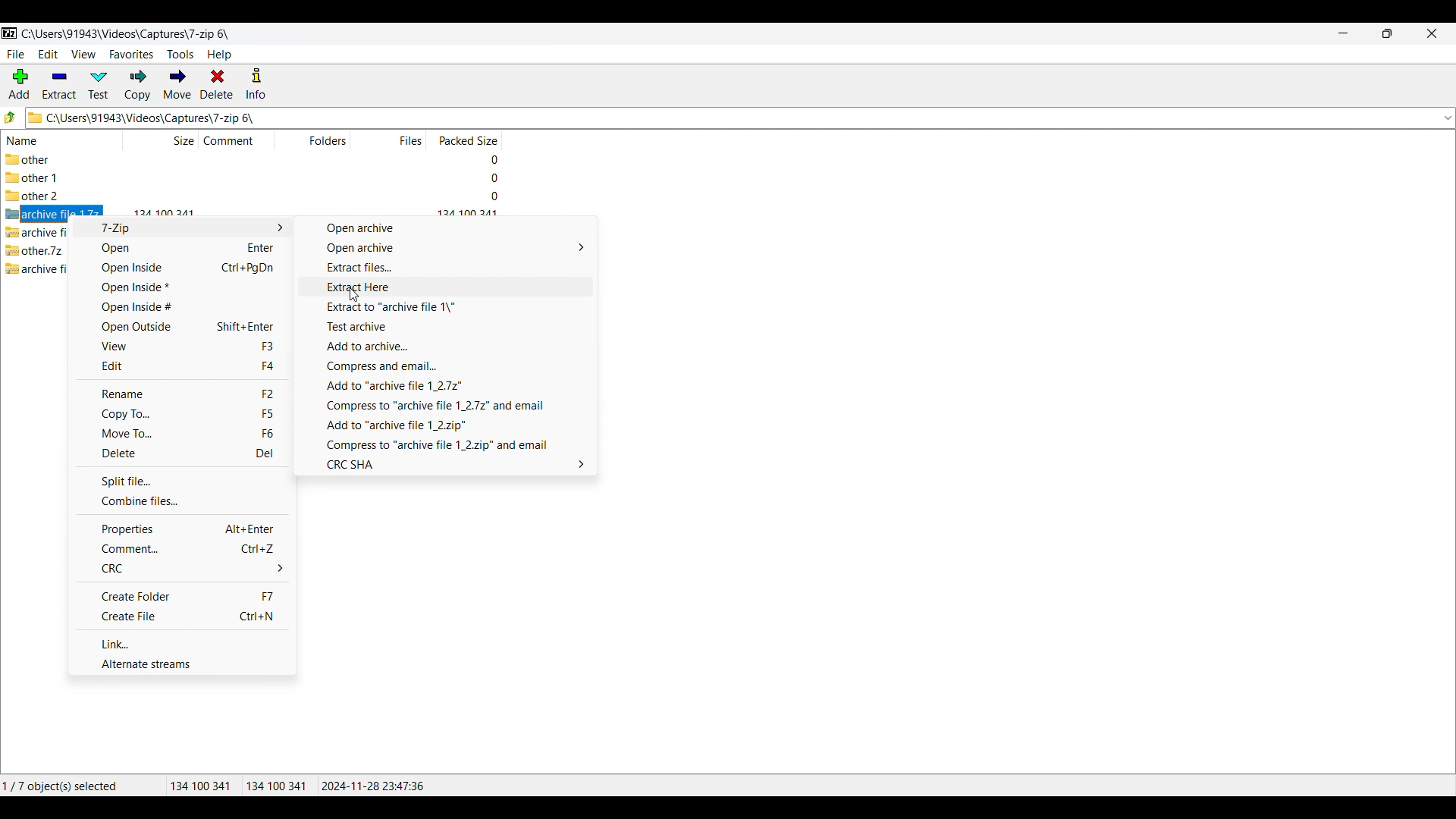 This screenshot has height=819, width=1456. I want to click on Test, so click(99, 85).